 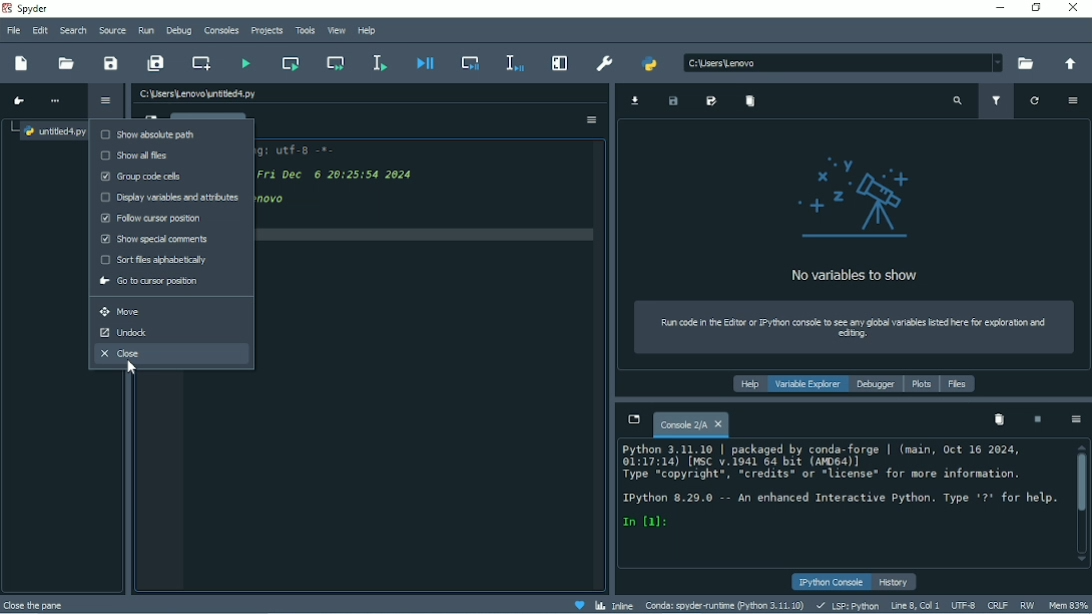 What do you see at coordinates (126, 352) in the screenshot?
I see `Close` at bounding box center [126, 352].